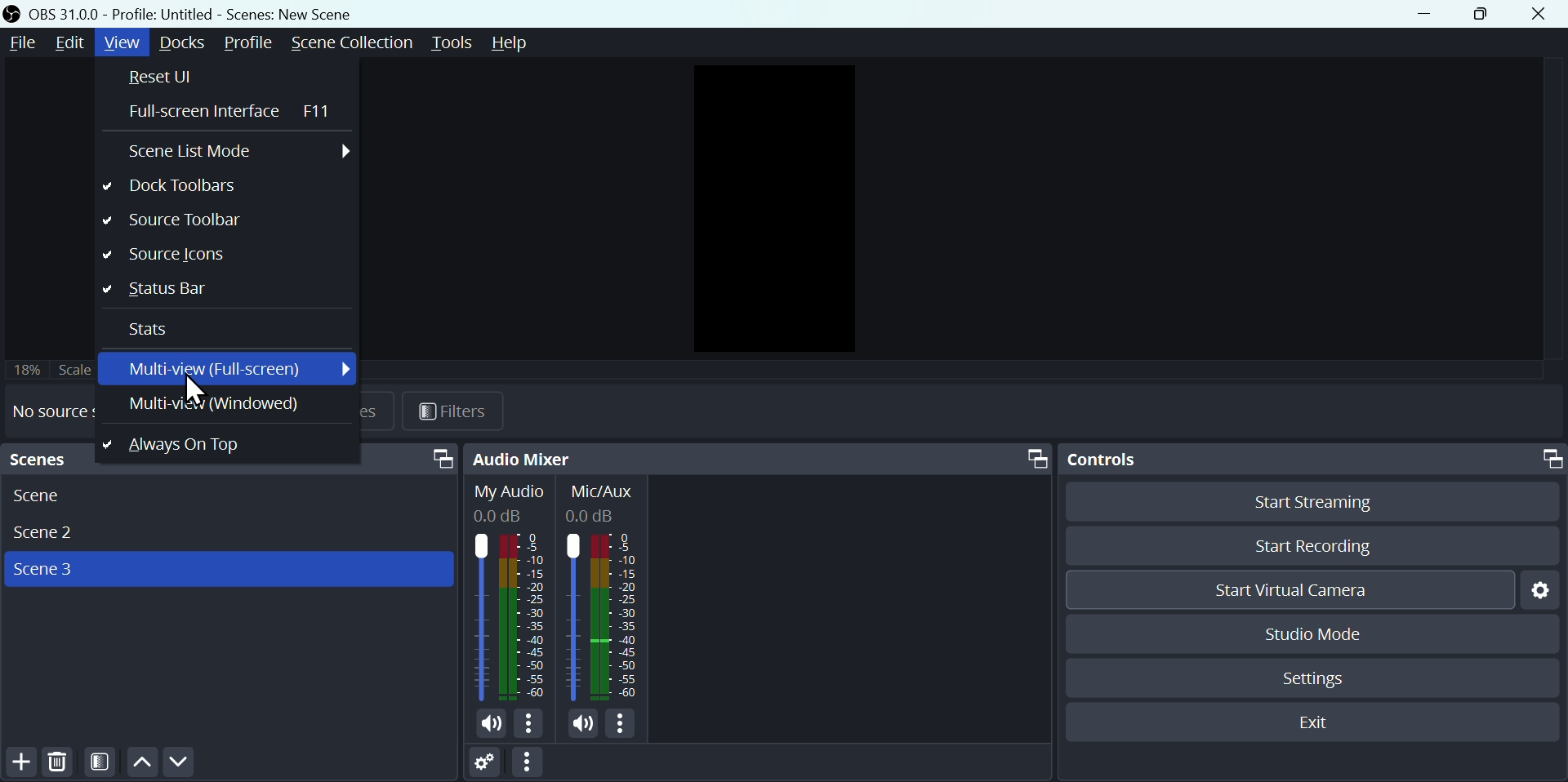  I want to click on Audio mixer, so click(759, 459).